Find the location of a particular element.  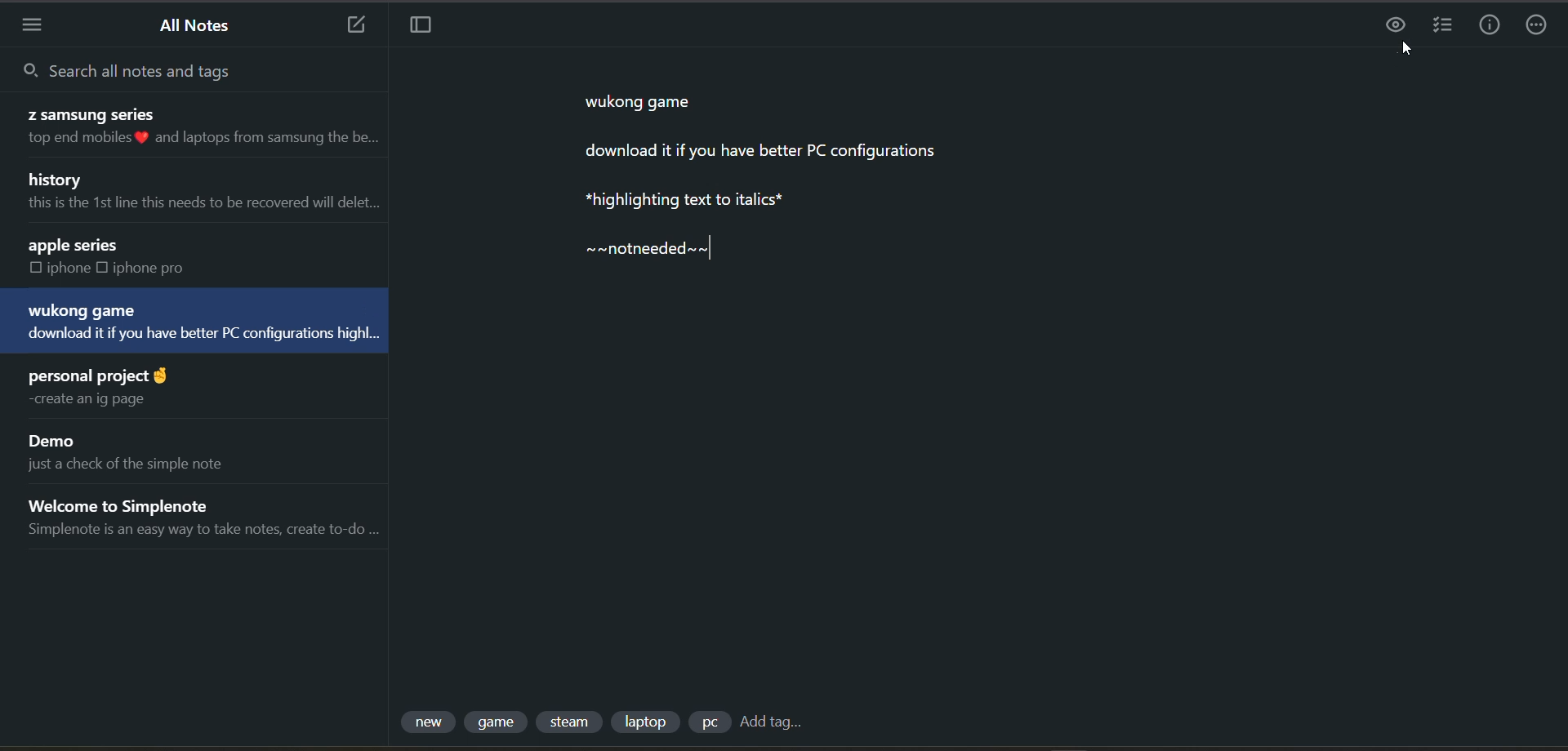

preview is located at coordinates (1395, 26).